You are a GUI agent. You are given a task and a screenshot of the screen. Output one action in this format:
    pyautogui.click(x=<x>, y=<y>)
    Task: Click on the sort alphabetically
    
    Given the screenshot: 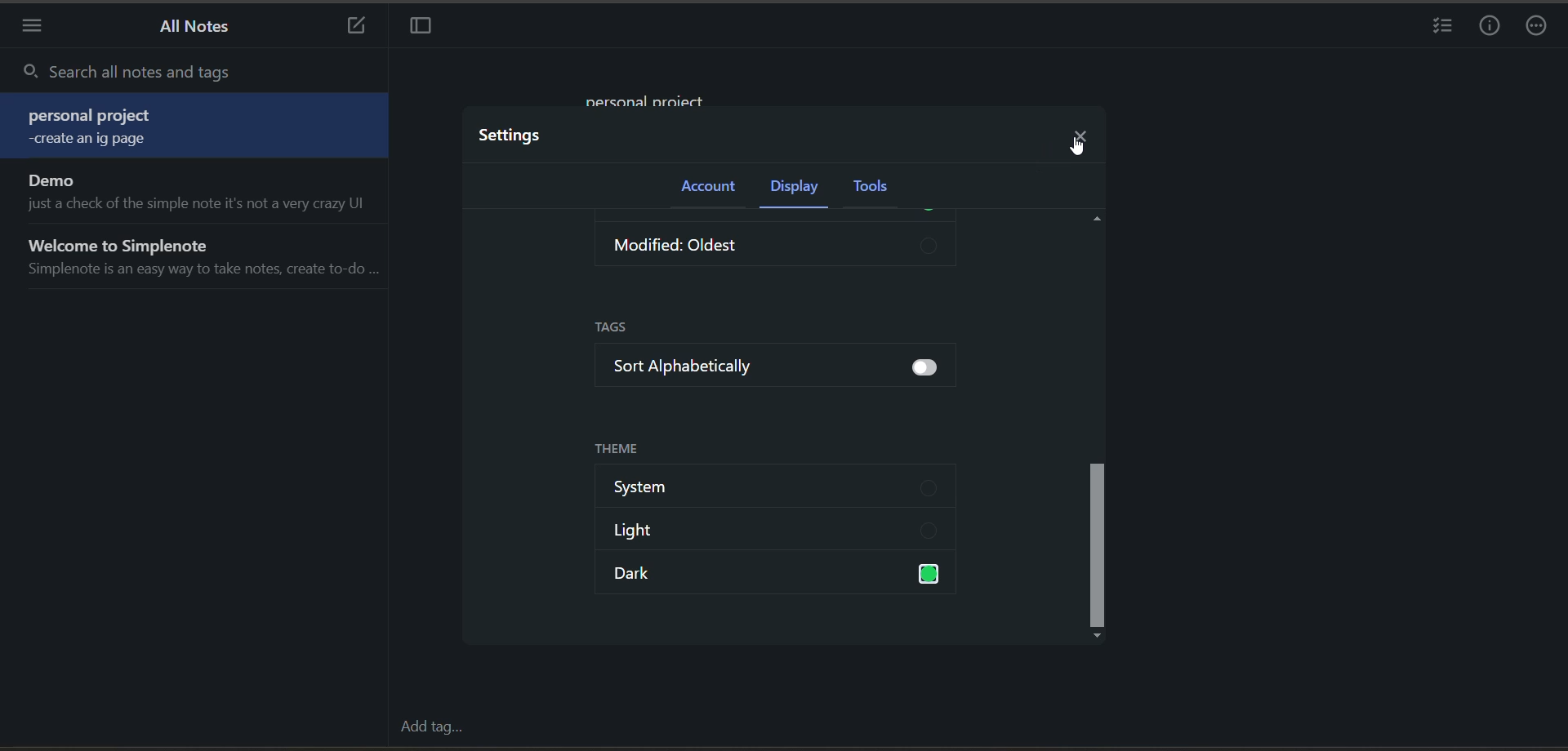 What is the action you would take?
    pyautogui.click(x=773, y=371)
    